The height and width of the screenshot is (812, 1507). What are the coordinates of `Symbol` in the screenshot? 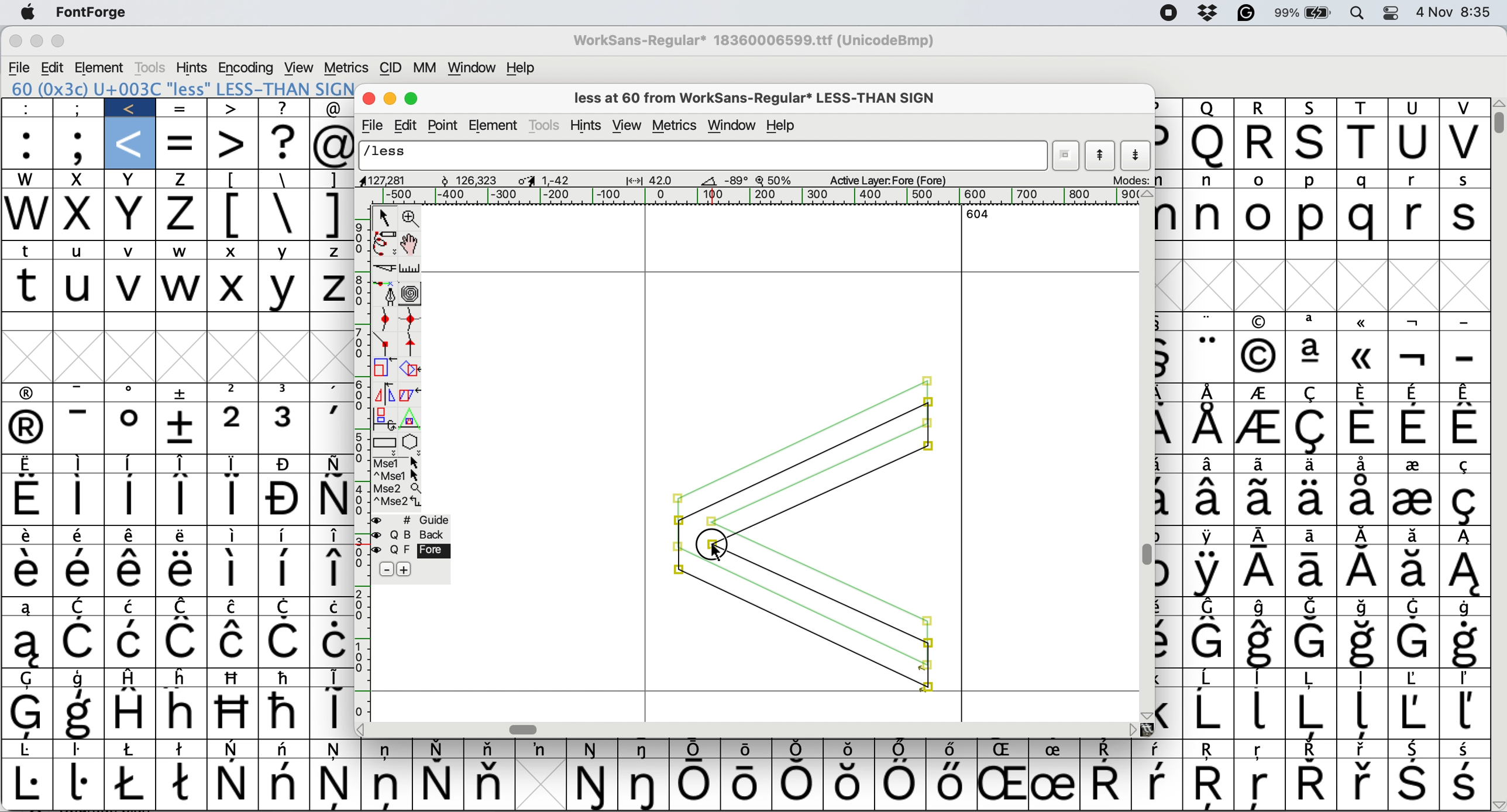 It's located at (133, 607).